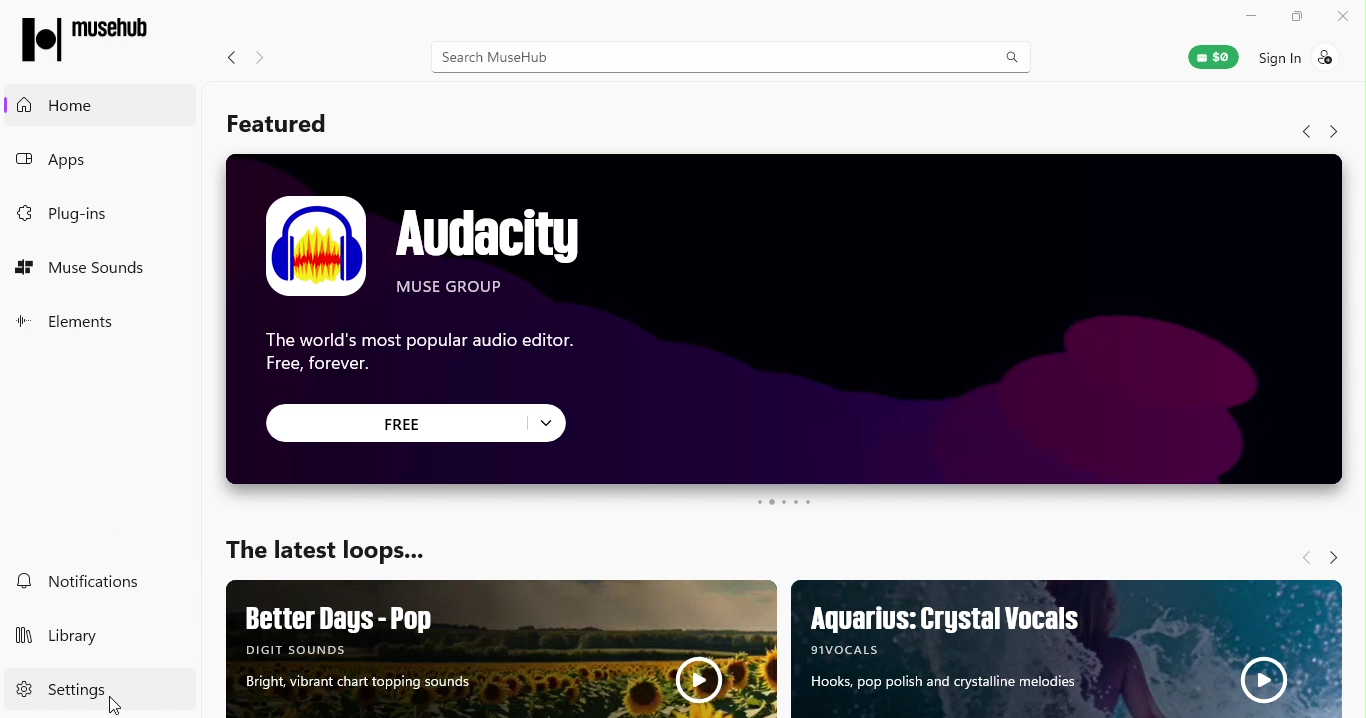 The width and height of the screenshot is (1366, 718). Describe the element at coordinates (1065, 649) in the screenshot. I see `Aquarius crystals Ad ` at that location.